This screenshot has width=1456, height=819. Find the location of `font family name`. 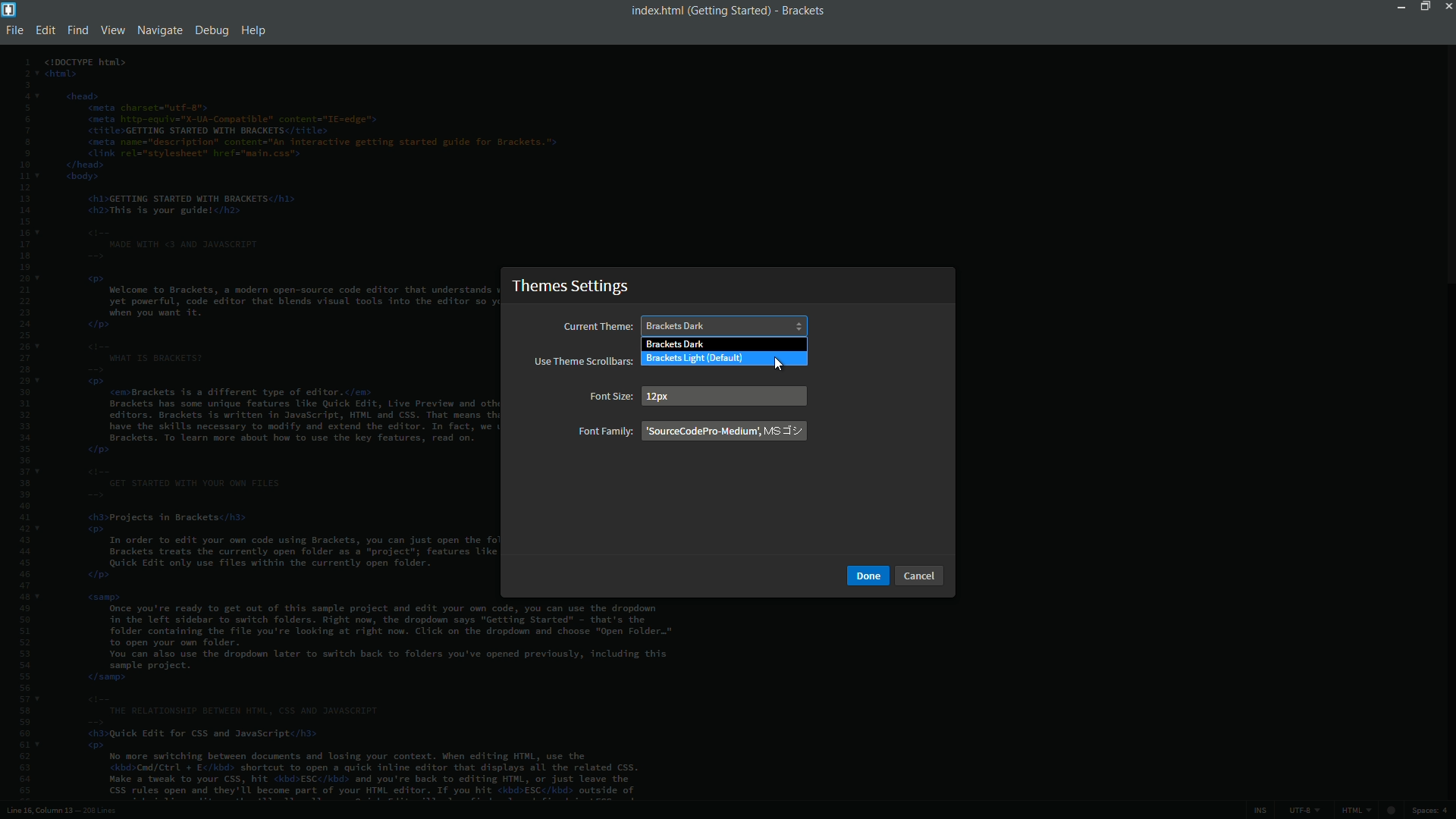

font family name is located at coordinates (723, 430).